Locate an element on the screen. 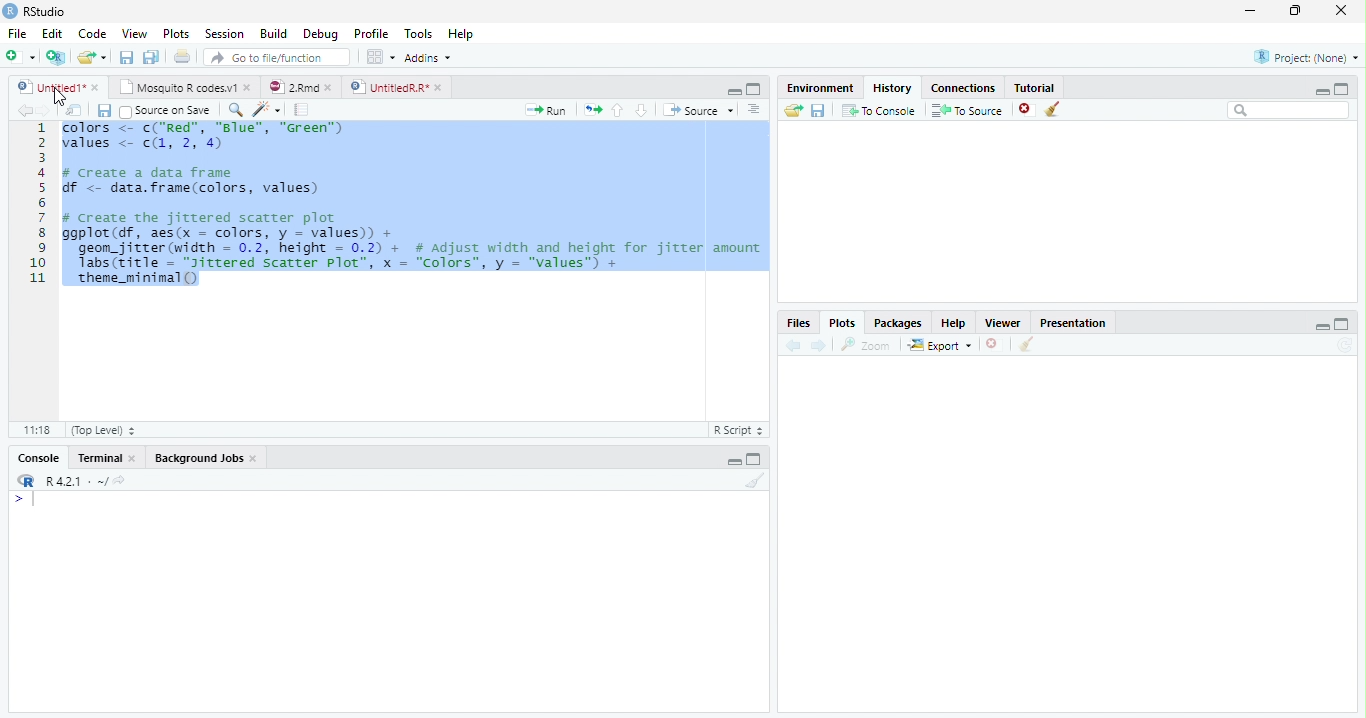 The width and height of the screenshot is (1366, 718). R is located at coordinates (25, 481).